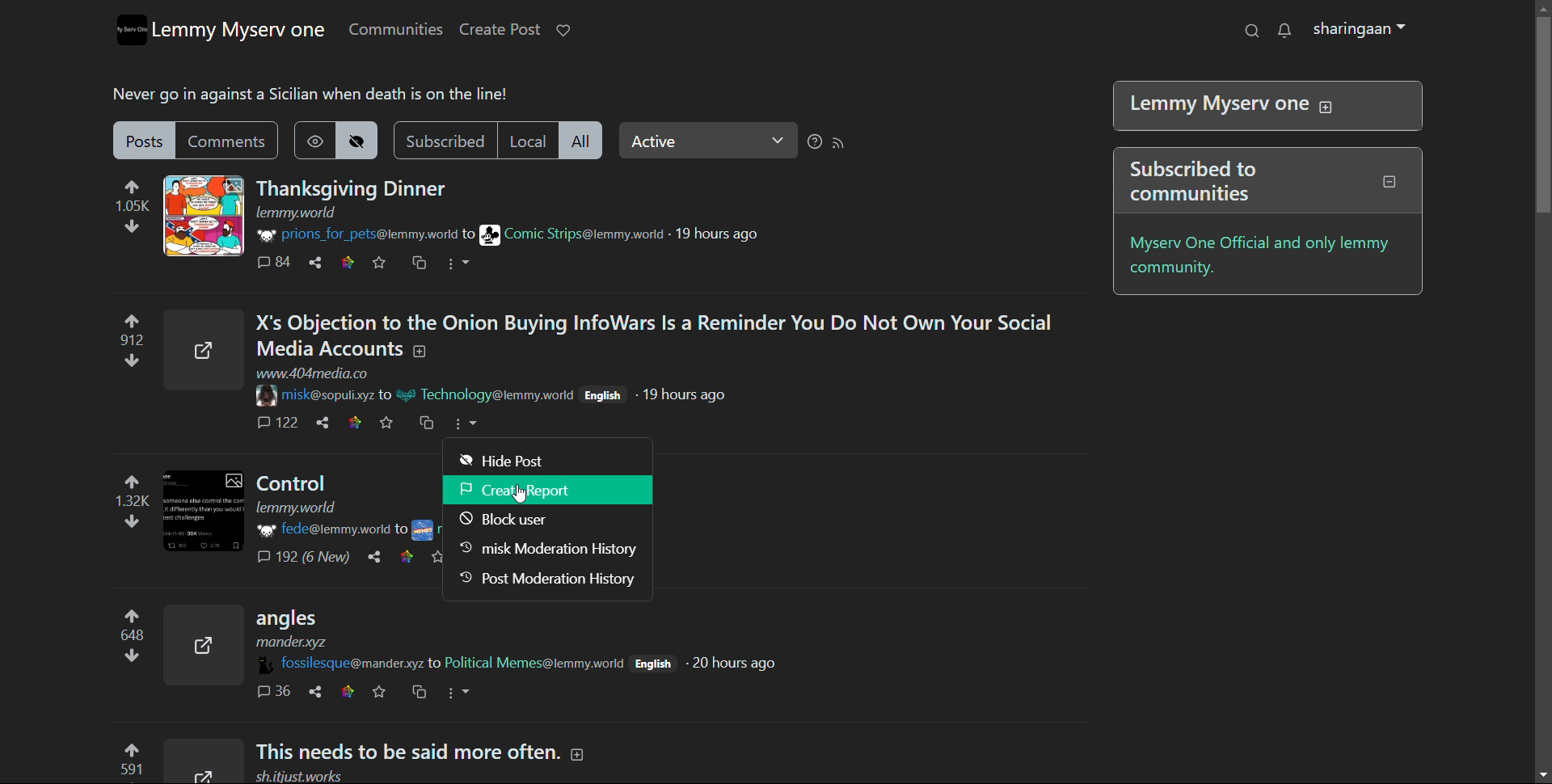  I want to click on link, so click(404, 556).